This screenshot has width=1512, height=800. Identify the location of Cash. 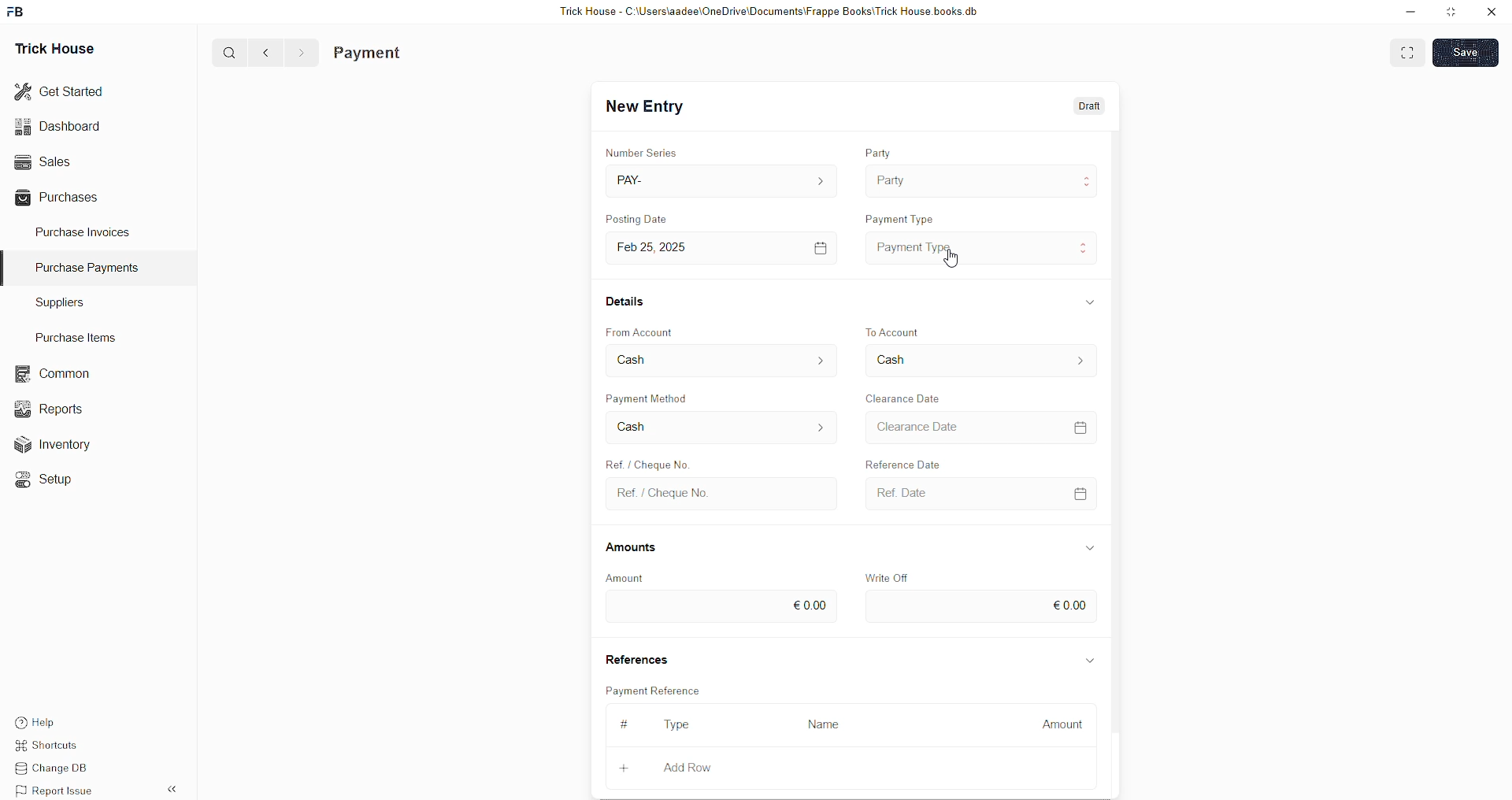
(637, 426).